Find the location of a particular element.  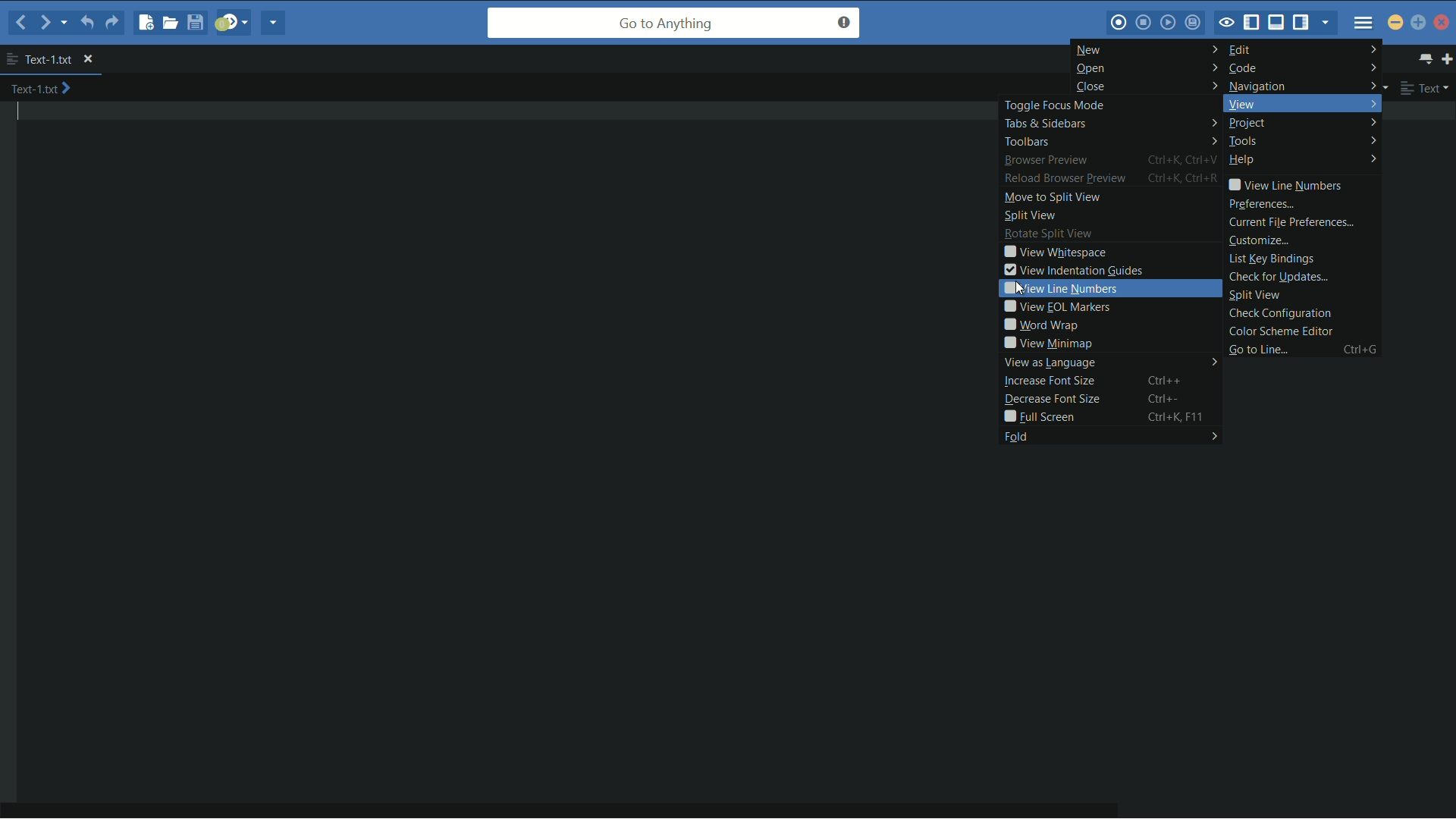

open file is located at coordinates (168, 23).